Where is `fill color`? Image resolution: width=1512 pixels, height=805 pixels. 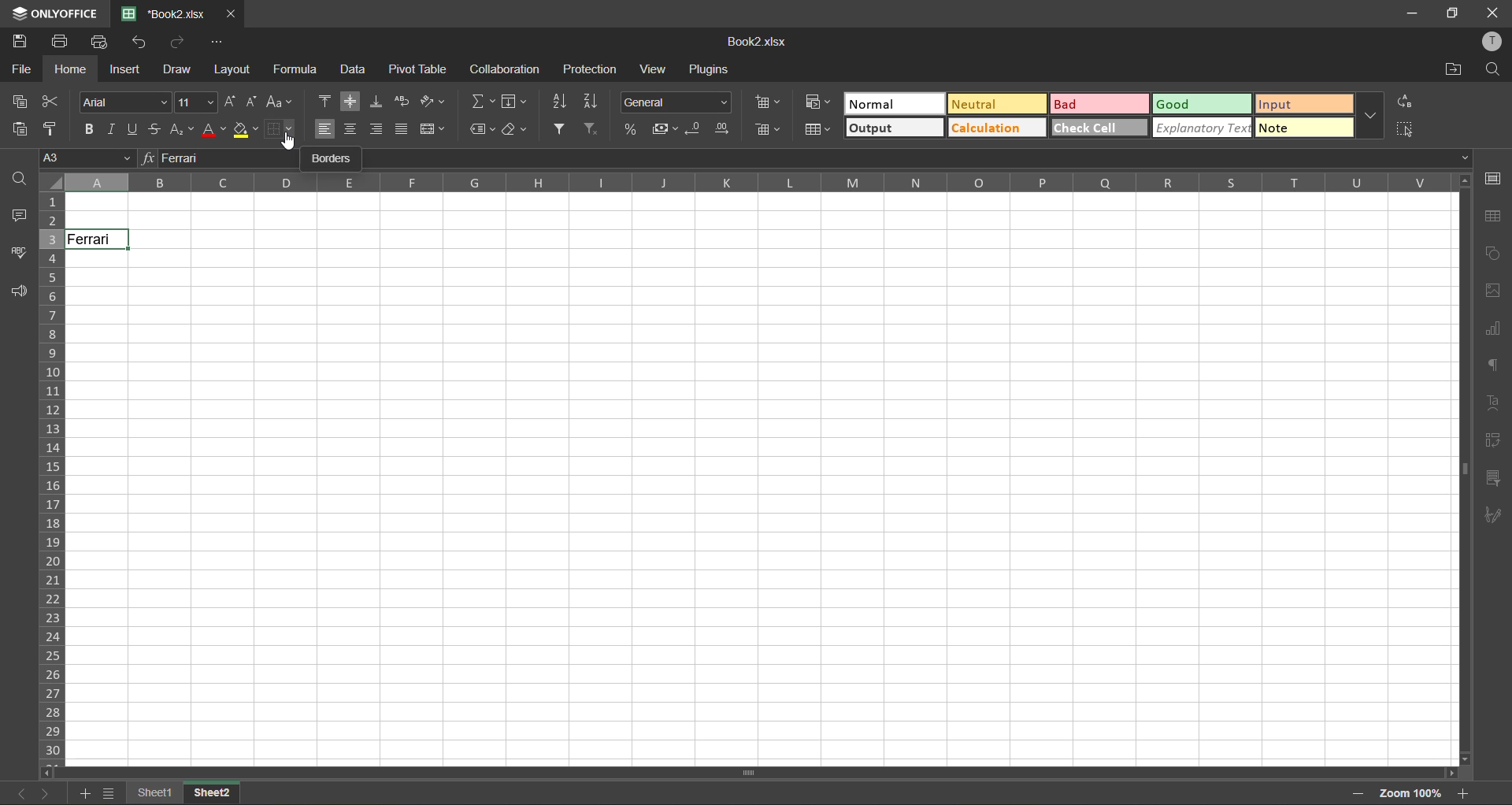 fill color is located at coordinates (242, 129).